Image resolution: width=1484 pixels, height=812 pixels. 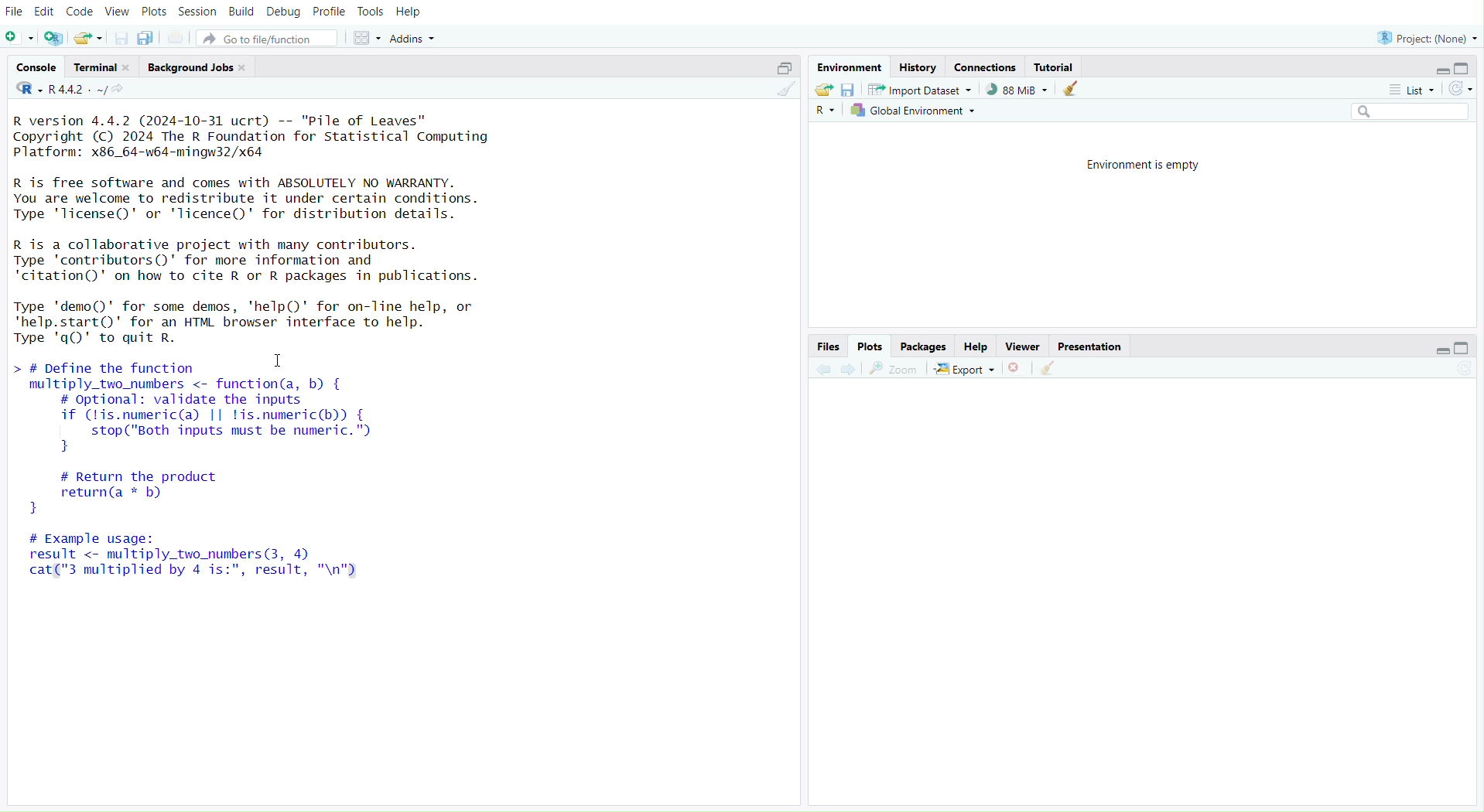 What do you see at coordinates (1075, 88) in the screenshot?
I see `Clear console (Ctrl +L)` at bounding box center [1075, 88].